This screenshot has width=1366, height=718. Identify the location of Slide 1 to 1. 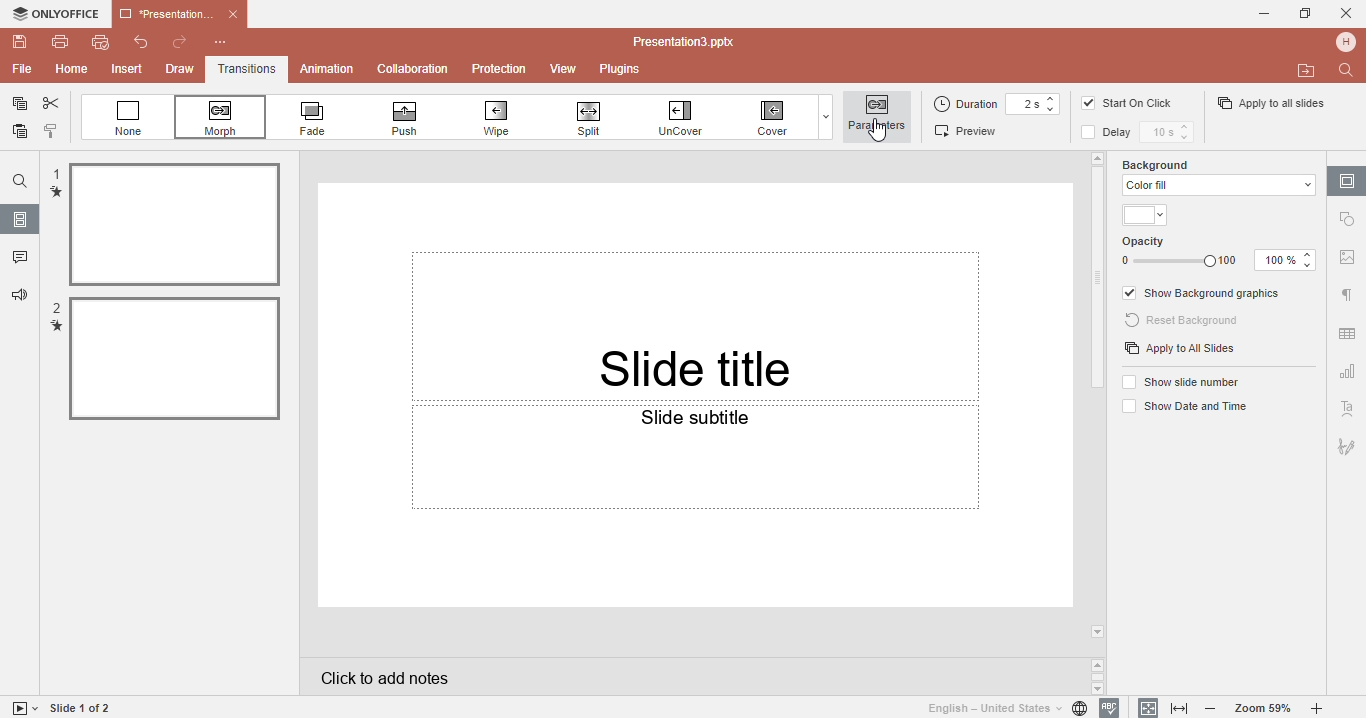
(82, 708).